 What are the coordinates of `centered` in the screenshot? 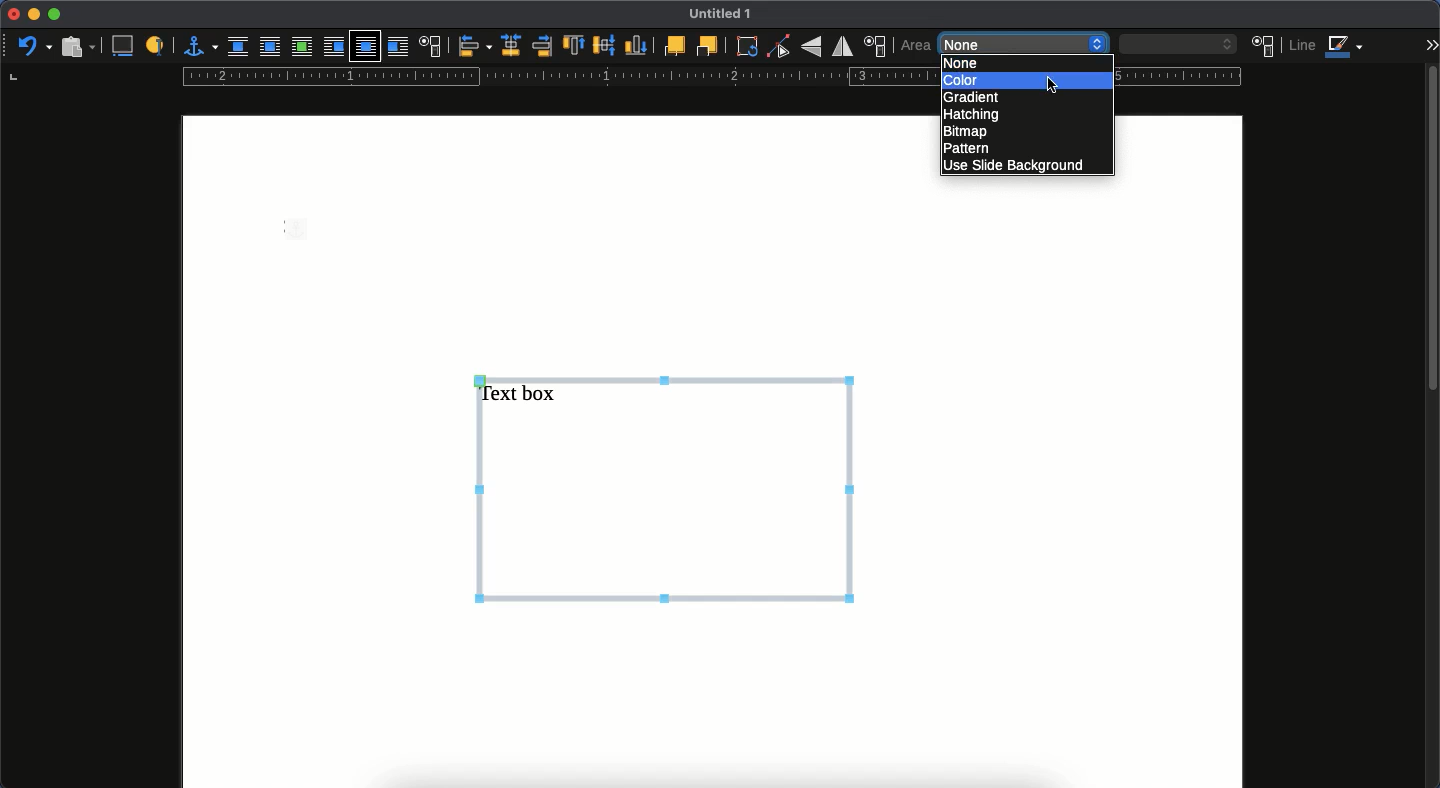 It's located at (509, 46).